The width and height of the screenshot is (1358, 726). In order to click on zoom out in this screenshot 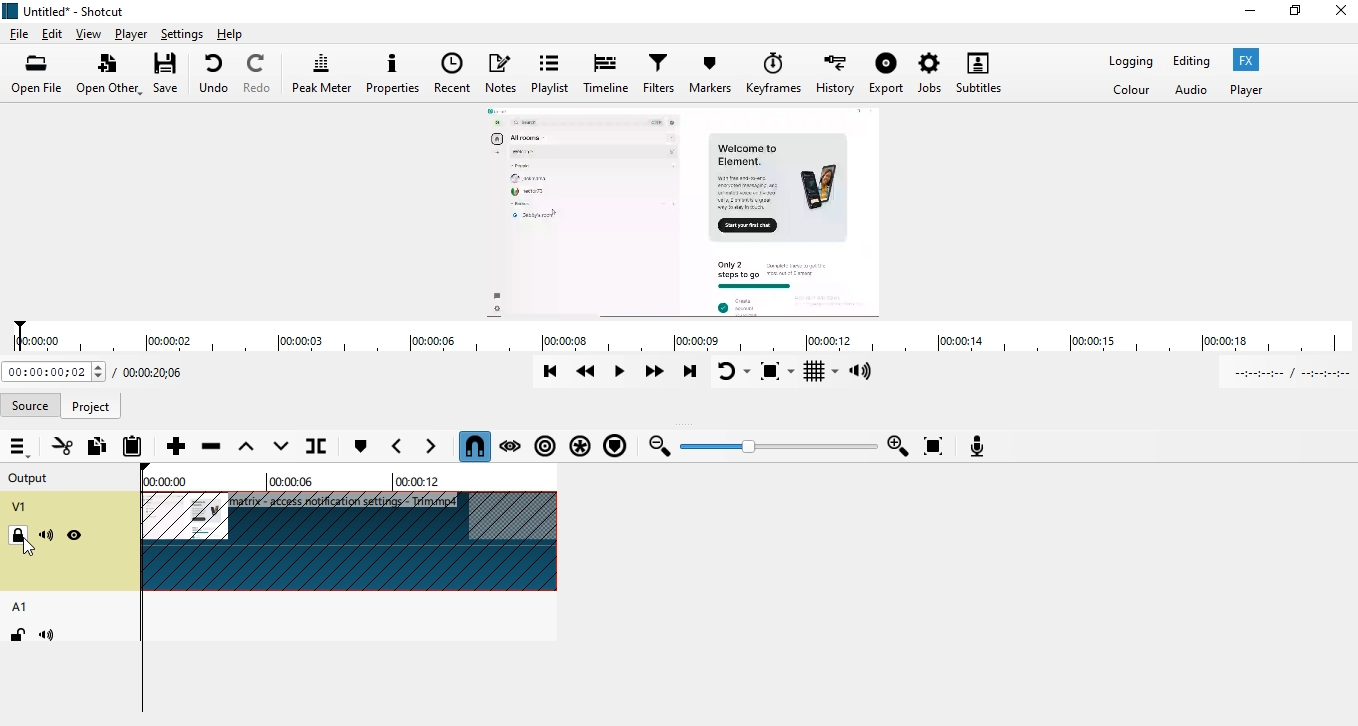, I will do `click(660, 448)`.